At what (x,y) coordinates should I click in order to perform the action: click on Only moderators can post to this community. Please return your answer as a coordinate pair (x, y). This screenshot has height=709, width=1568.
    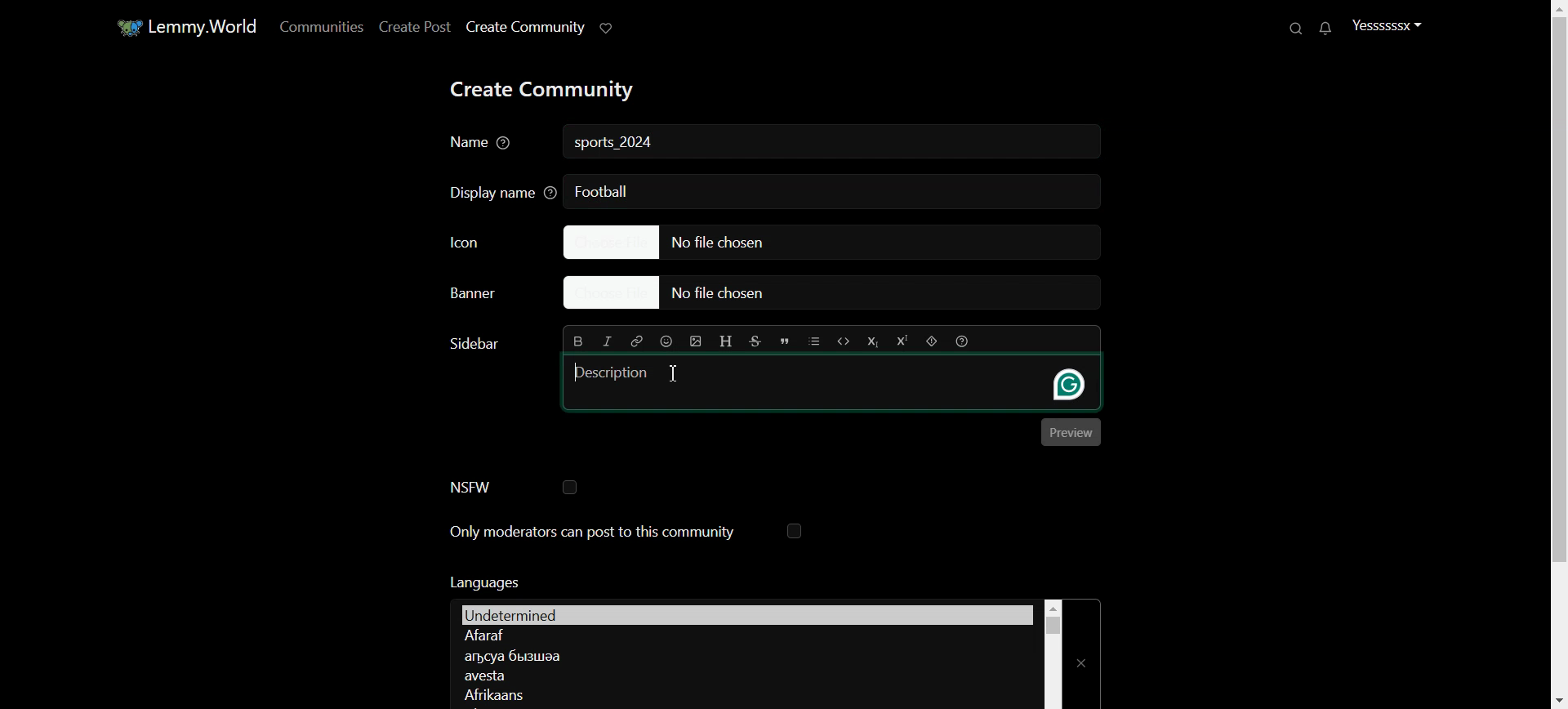
    Looking at the image, I should click on (626, 533).